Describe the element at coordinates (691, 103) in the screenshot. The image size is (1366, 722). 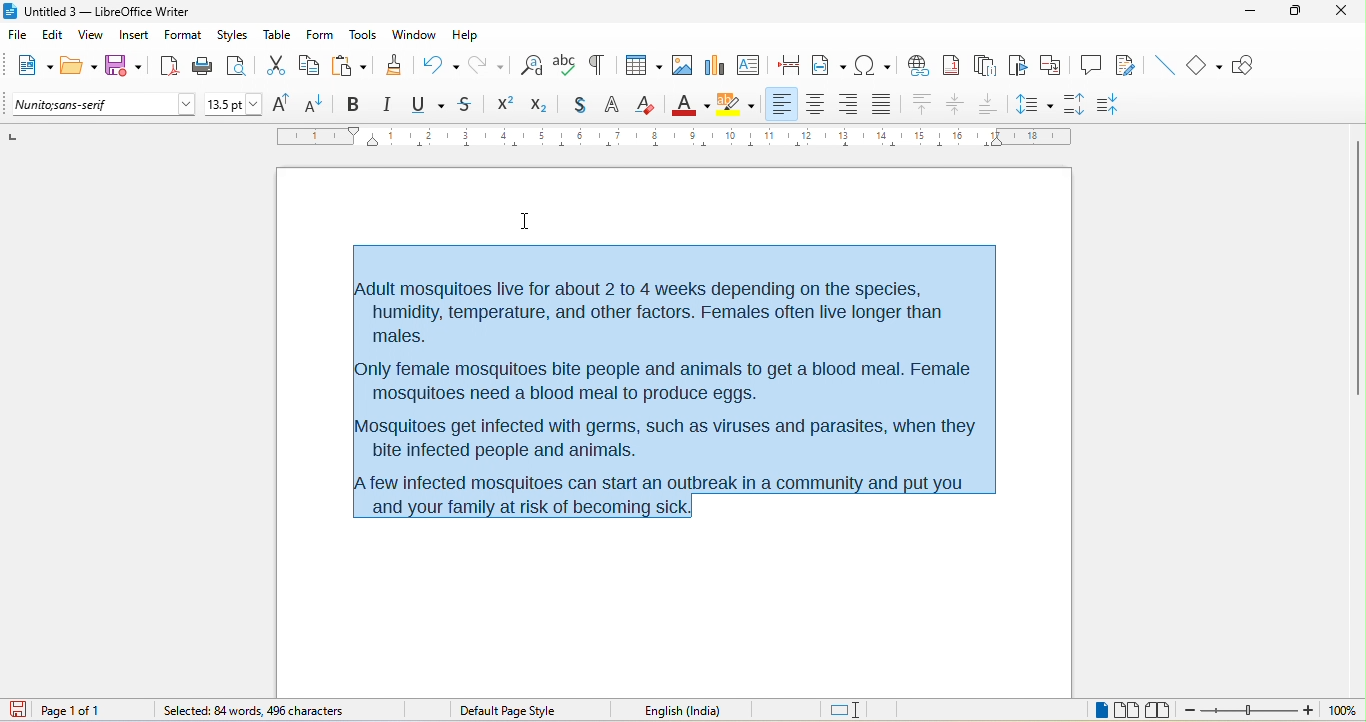
I see `font color` at that location.